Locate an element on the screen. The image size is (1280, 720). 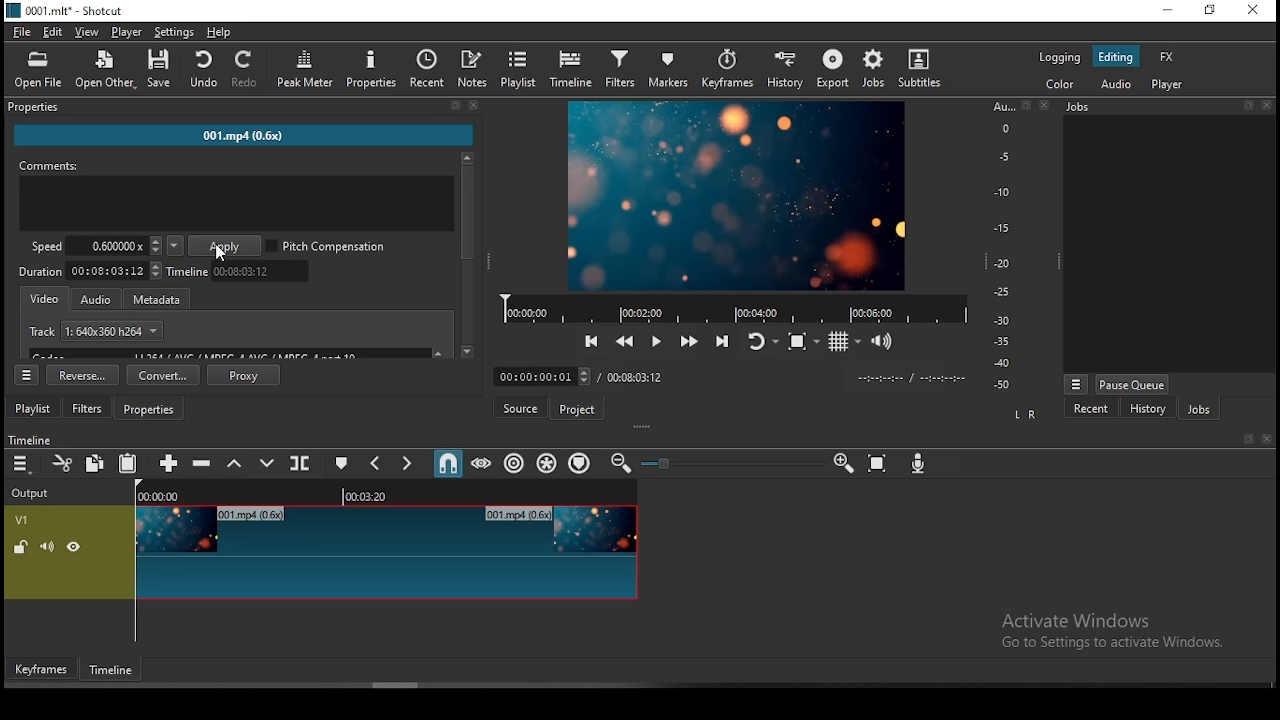
jobs is located at coordinates (1167, 108).